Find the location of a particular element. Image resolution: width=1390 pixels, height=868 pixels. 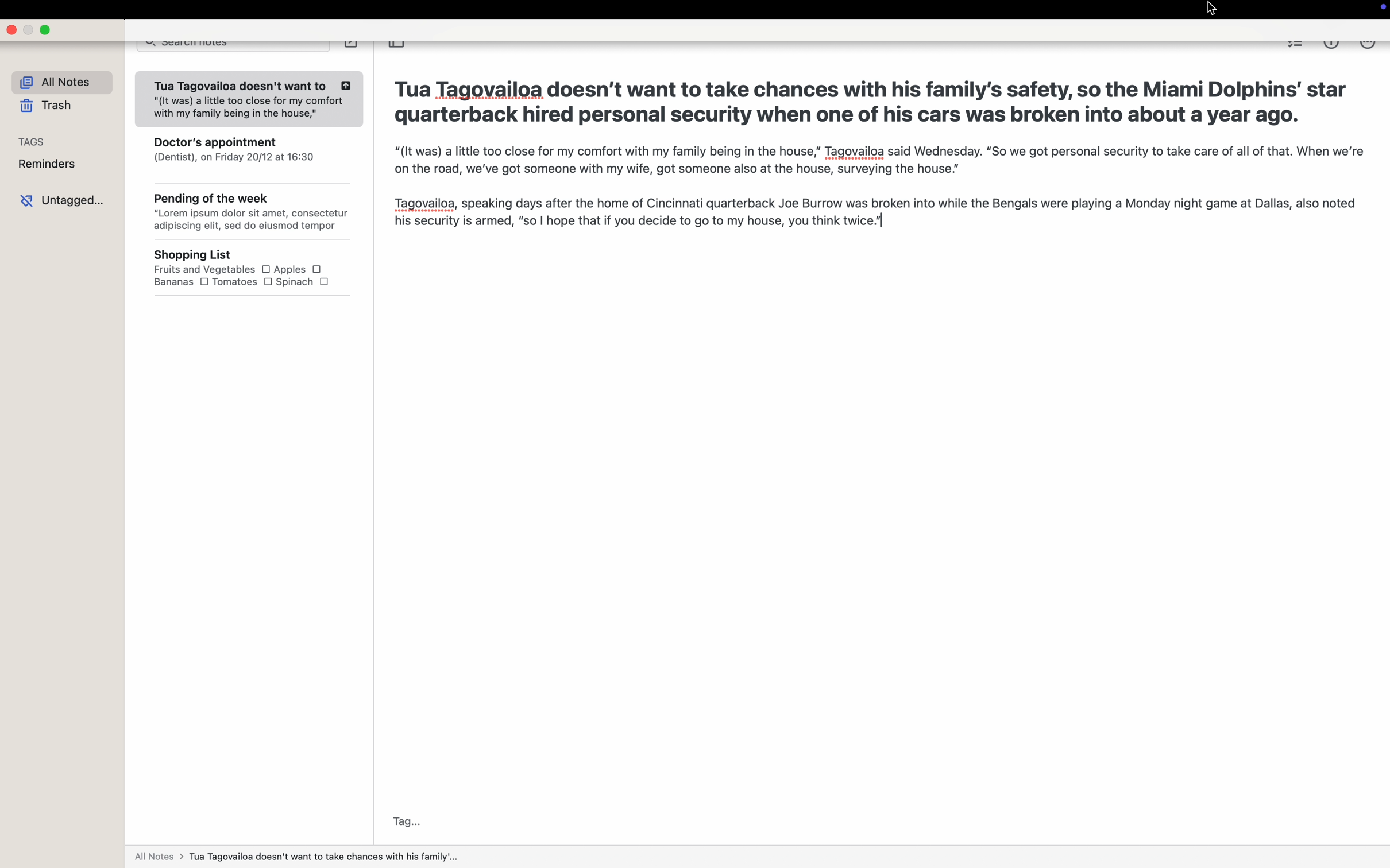

metrics is located at coordinates (1331, 41).